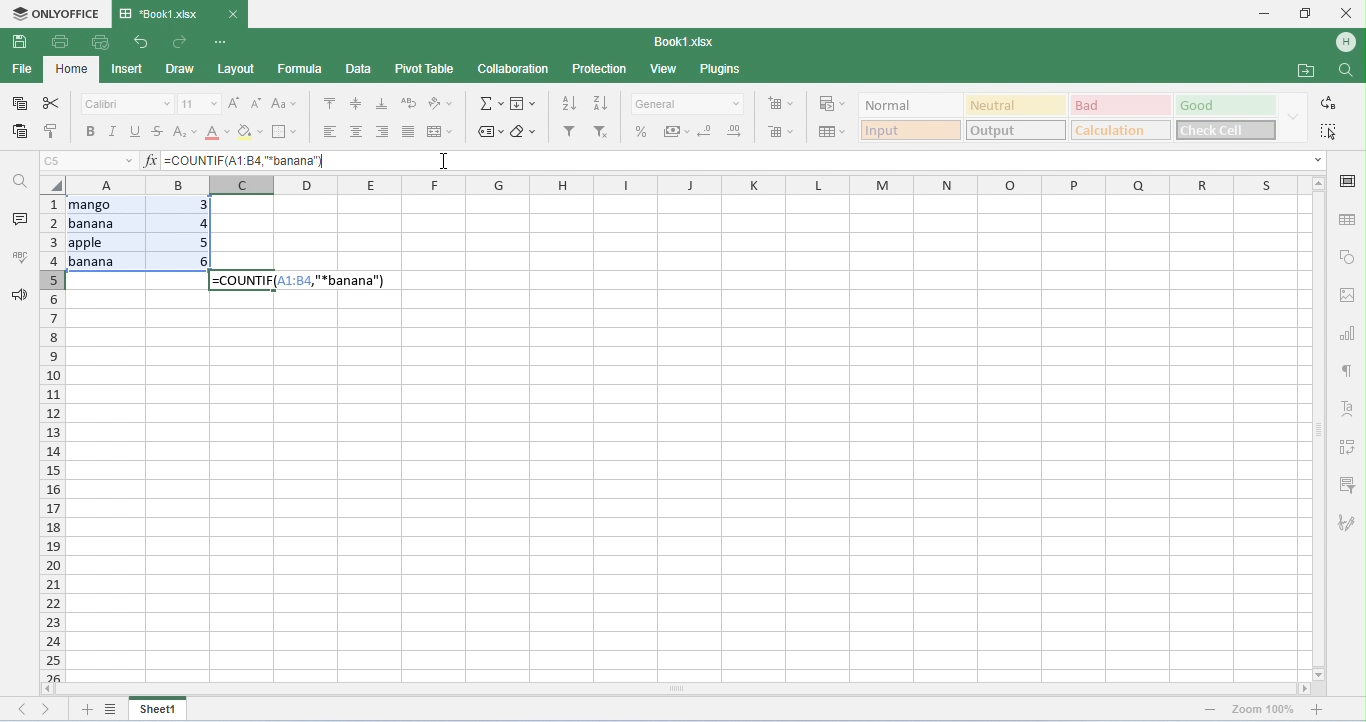  What do you see at coordinates (139, 42) in the screenshot?
I see `undo` at bounding box center [139, 42].